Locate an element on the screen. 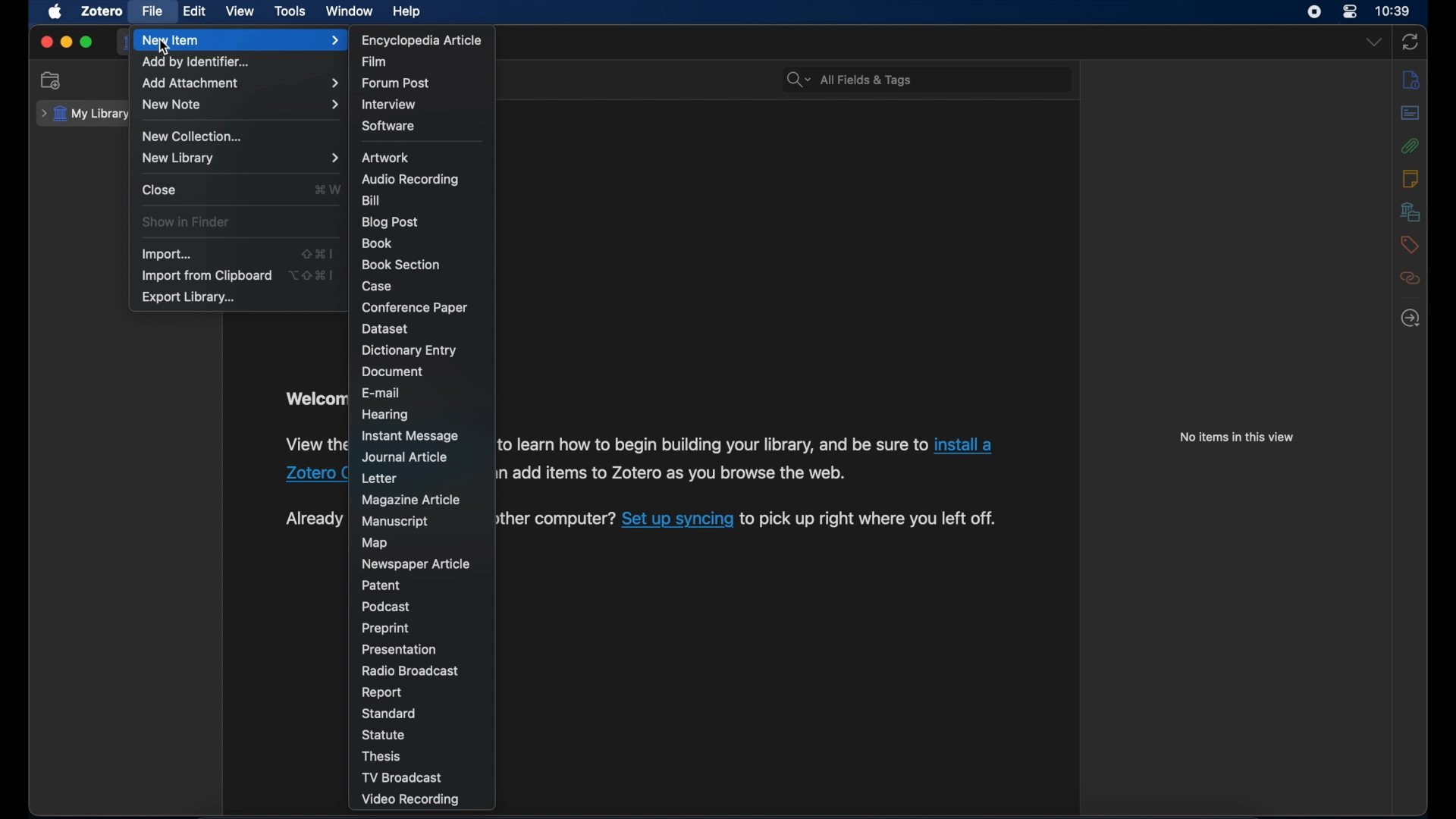 The image size is (1456, 819). info is located at coordinates (1411, 80).